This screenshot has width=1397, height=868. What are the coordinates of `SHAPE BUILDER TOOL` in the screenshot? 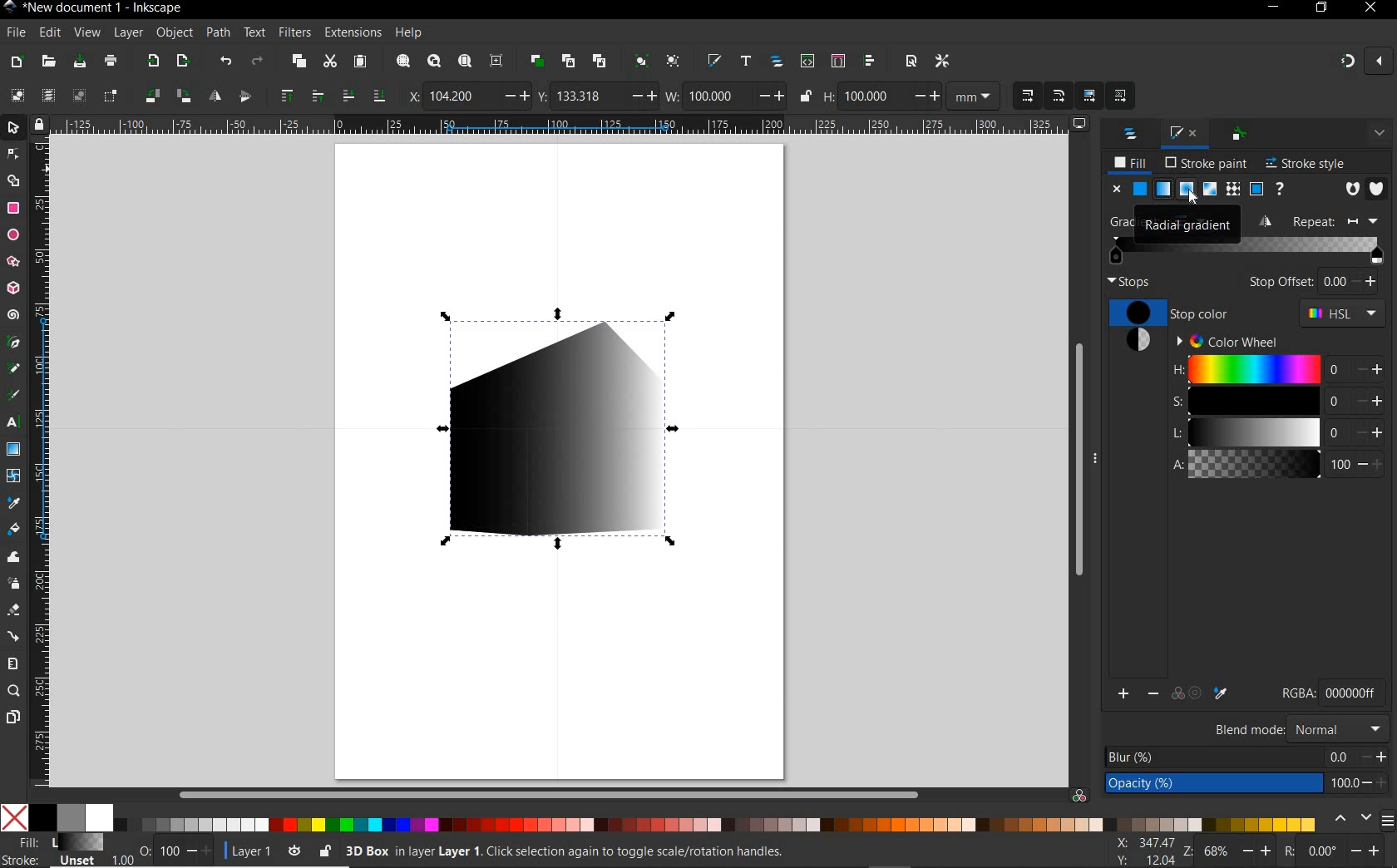 It's located at (12, 181).